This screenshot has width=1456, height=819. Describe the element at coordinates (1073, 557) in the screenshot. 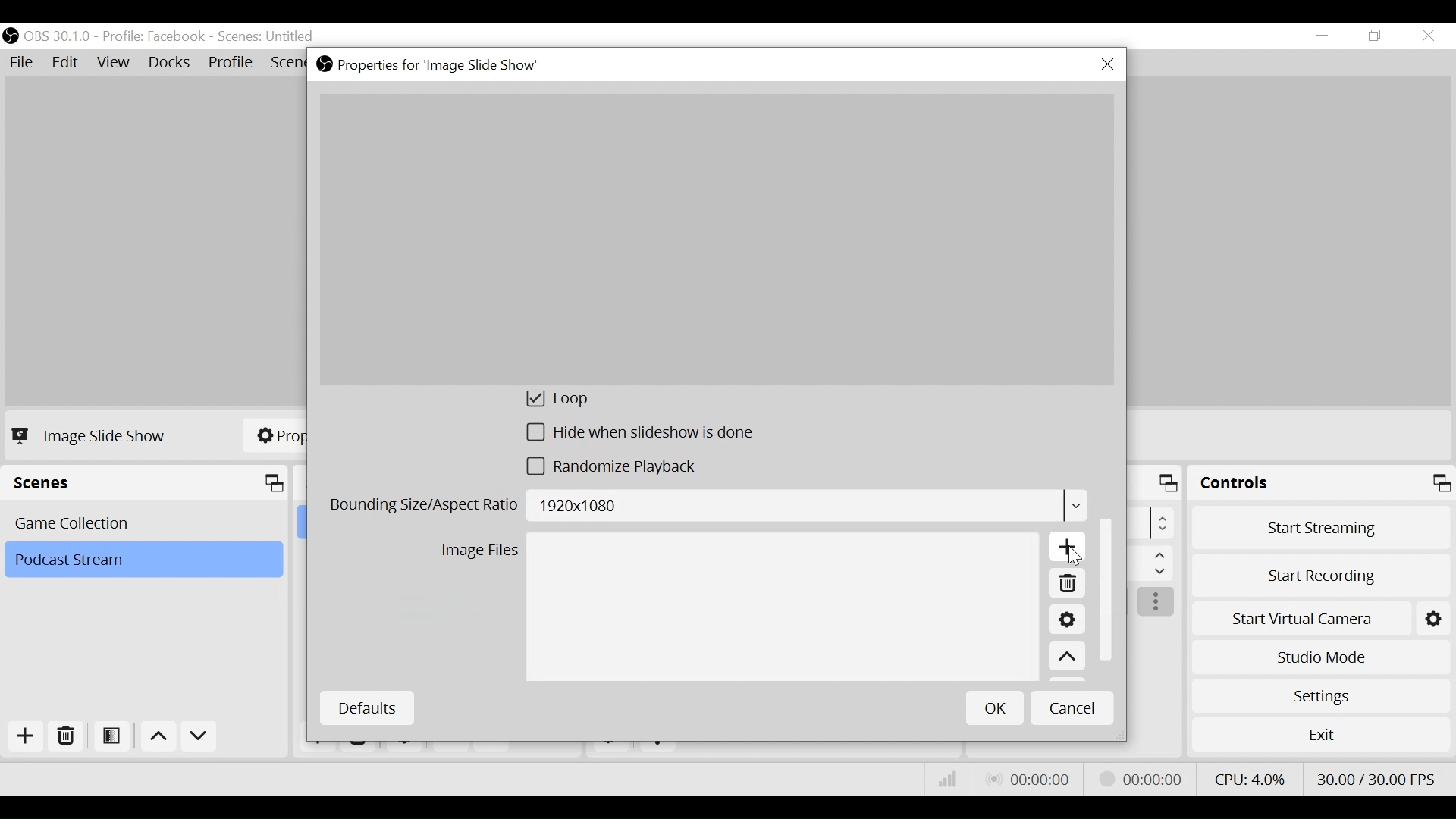

I see `Cursor` at that location.